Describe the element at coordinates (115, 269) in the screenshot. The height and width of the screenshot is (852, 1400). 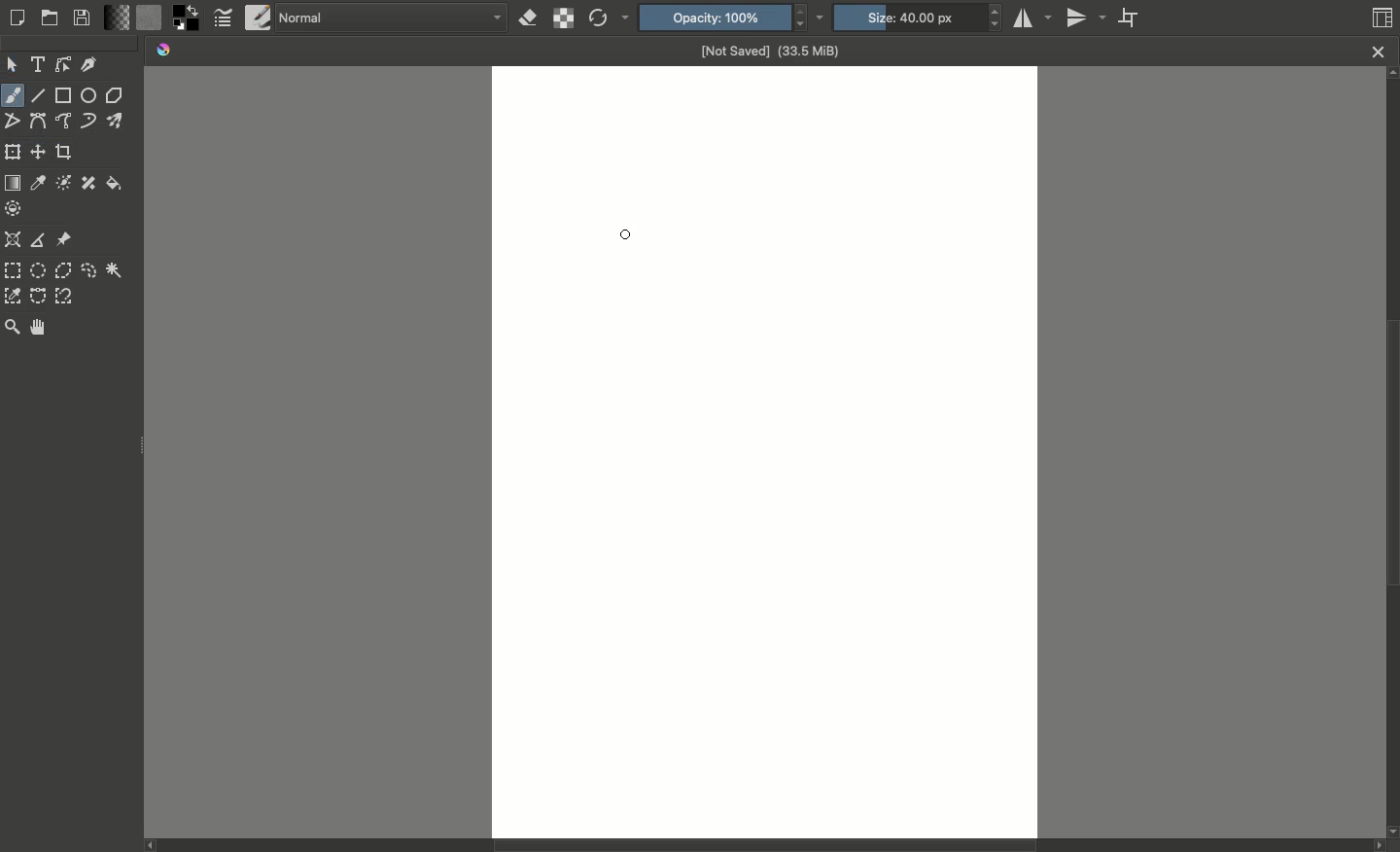
I see `Contiguous selection tool` at that location.